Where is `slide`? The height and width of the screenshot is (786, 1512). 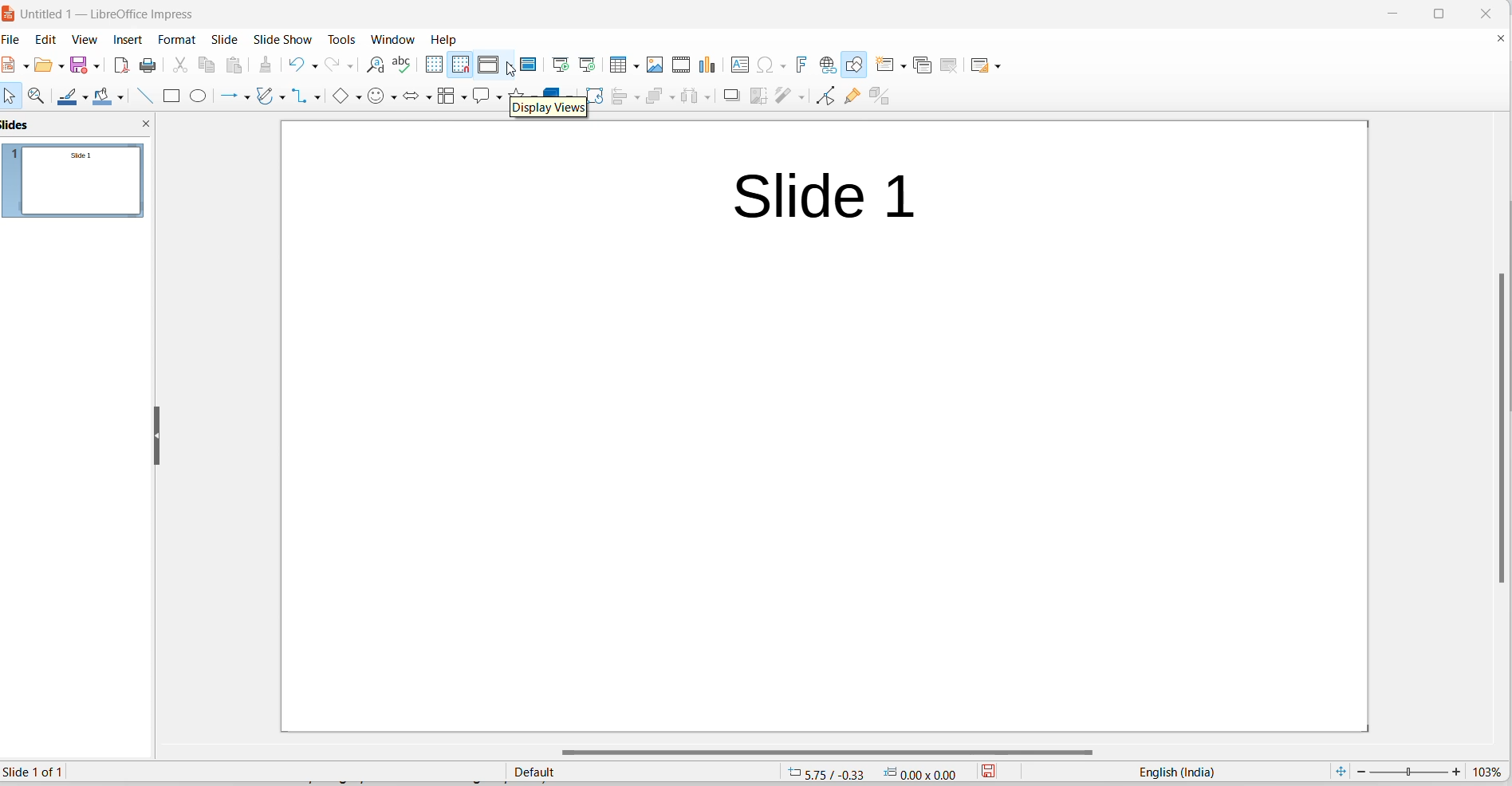 slide is located at coordinates (226, 39).